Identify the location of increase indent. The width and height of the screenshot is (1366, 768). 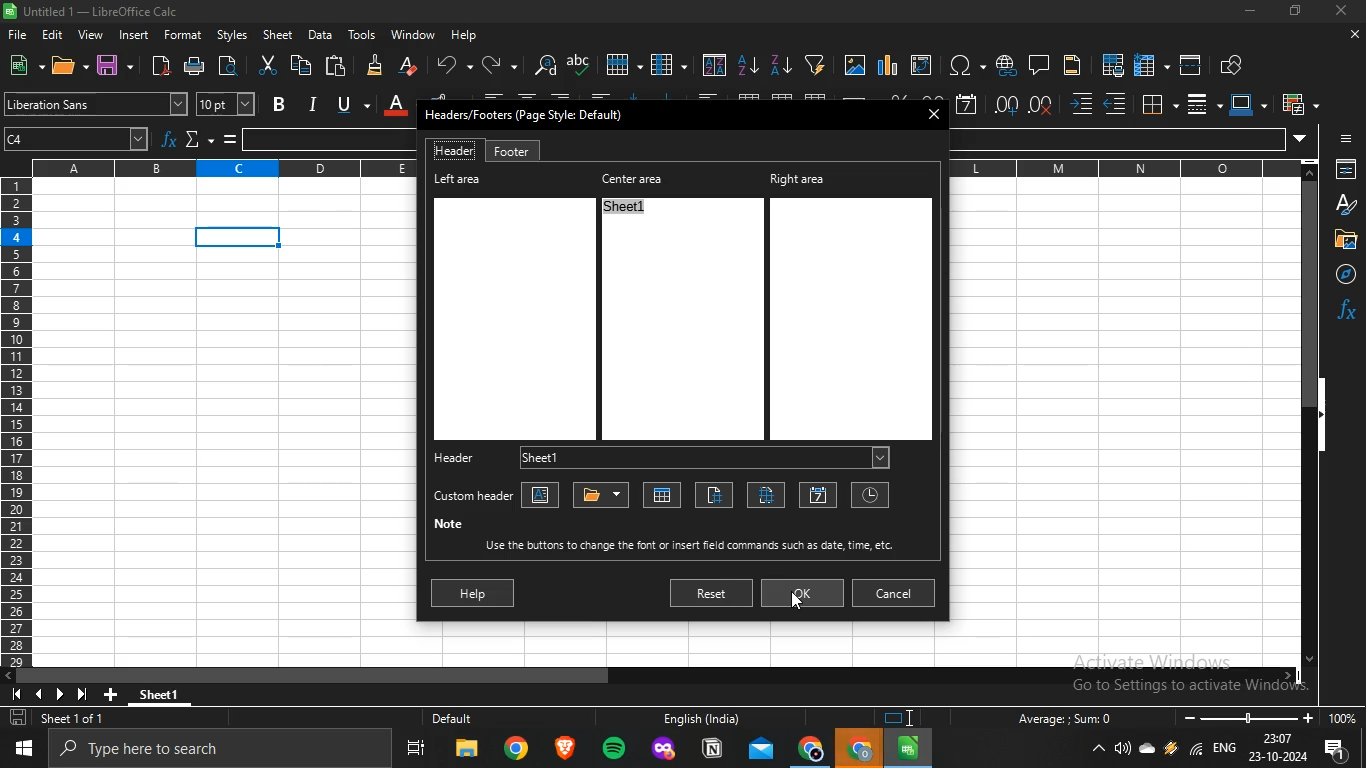
(1082, 105).